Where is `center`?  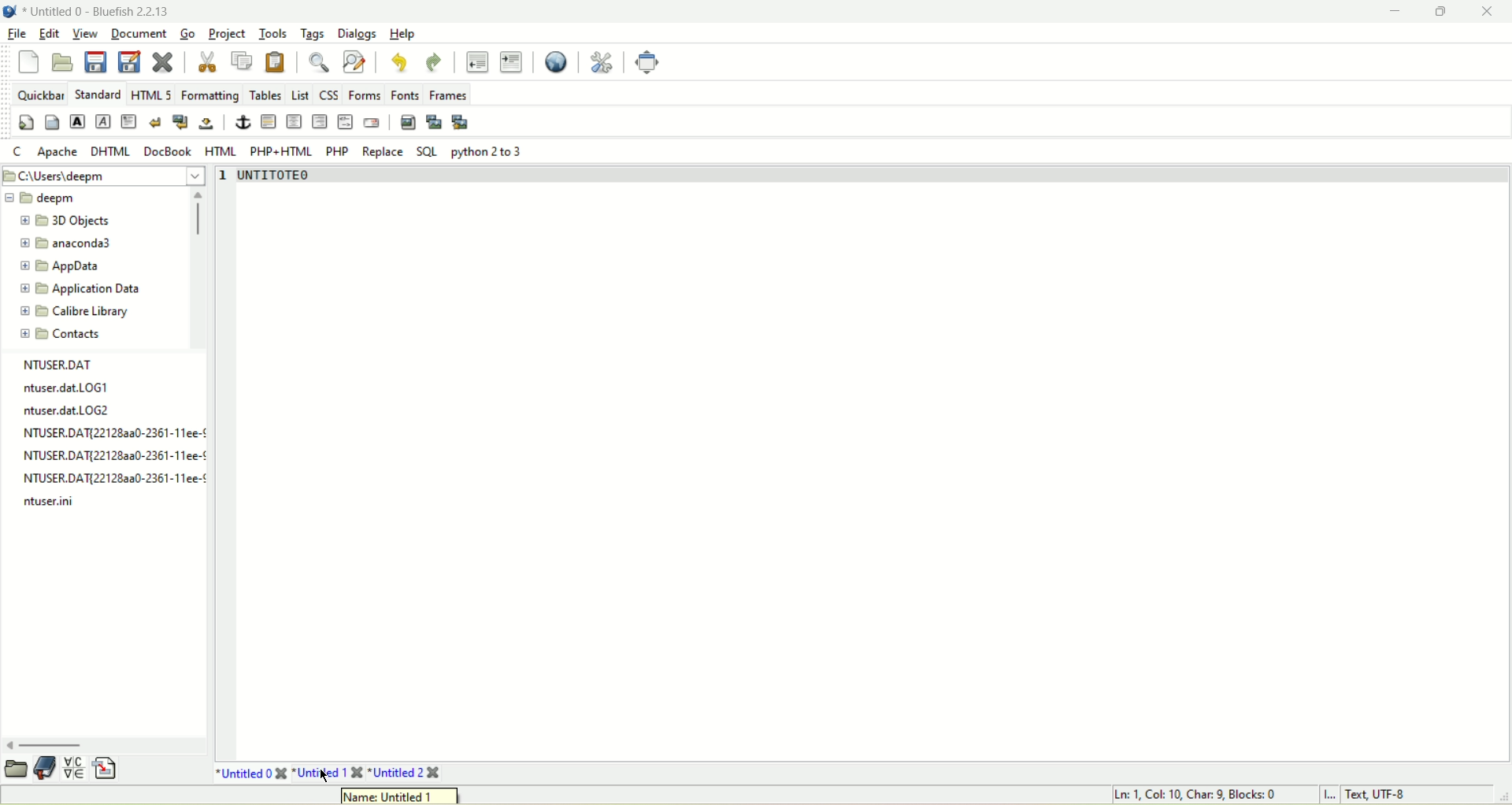
center is located at coordinates (292, 121).